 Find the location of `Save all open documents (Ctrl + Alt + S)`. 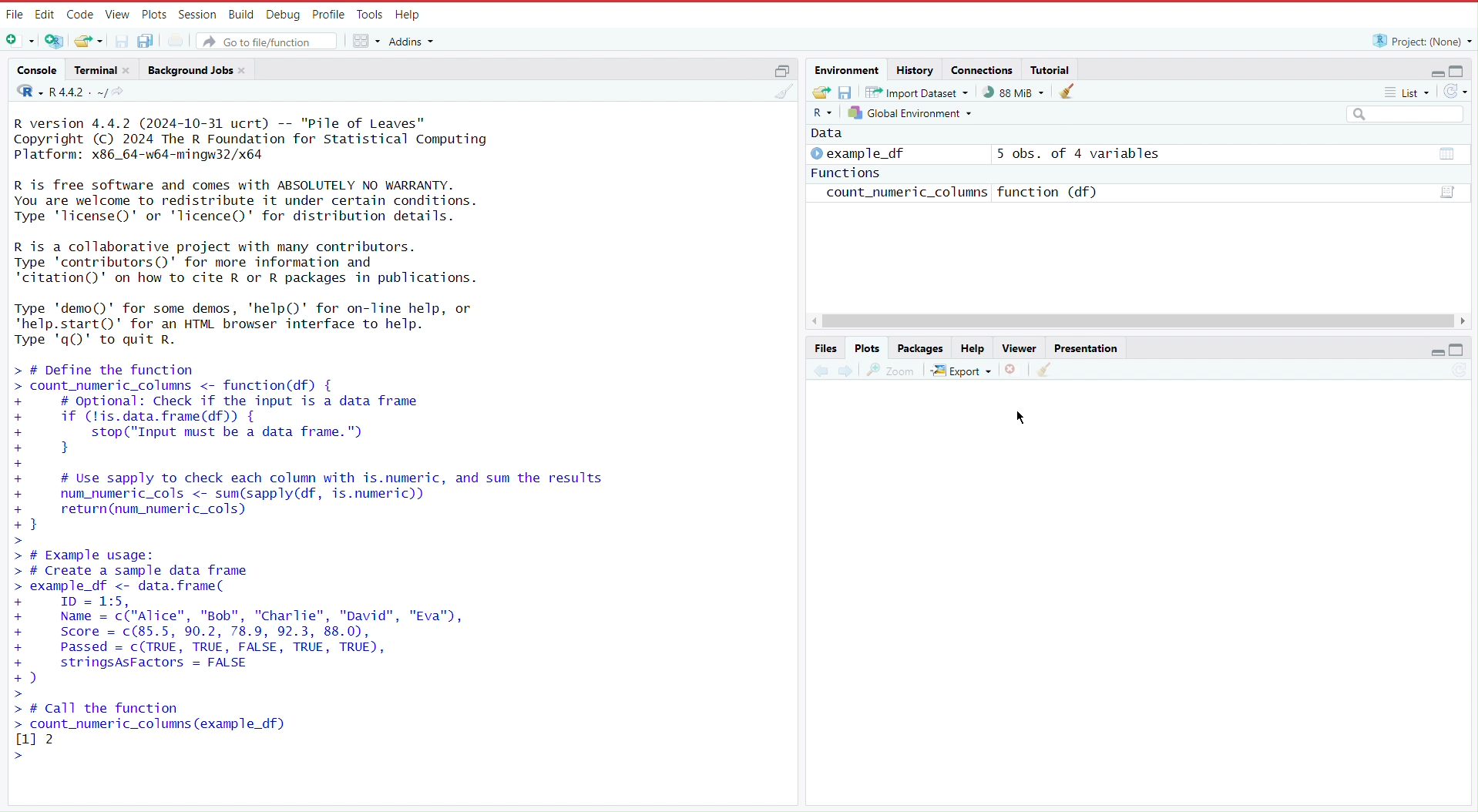

Save all open documents (Ctrl + Alt + S) is located at coordinates (153, 40).